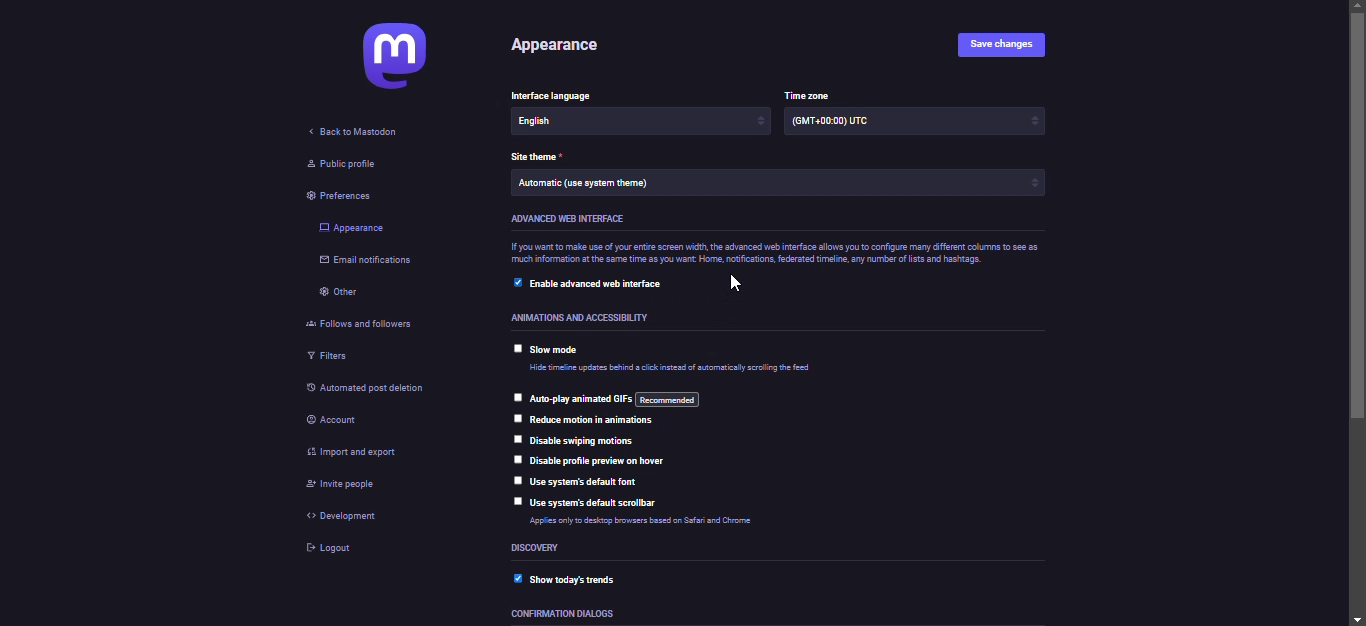 The height and width of the screenshot is (626, 1366). I want to click on account, so click(331, 423).